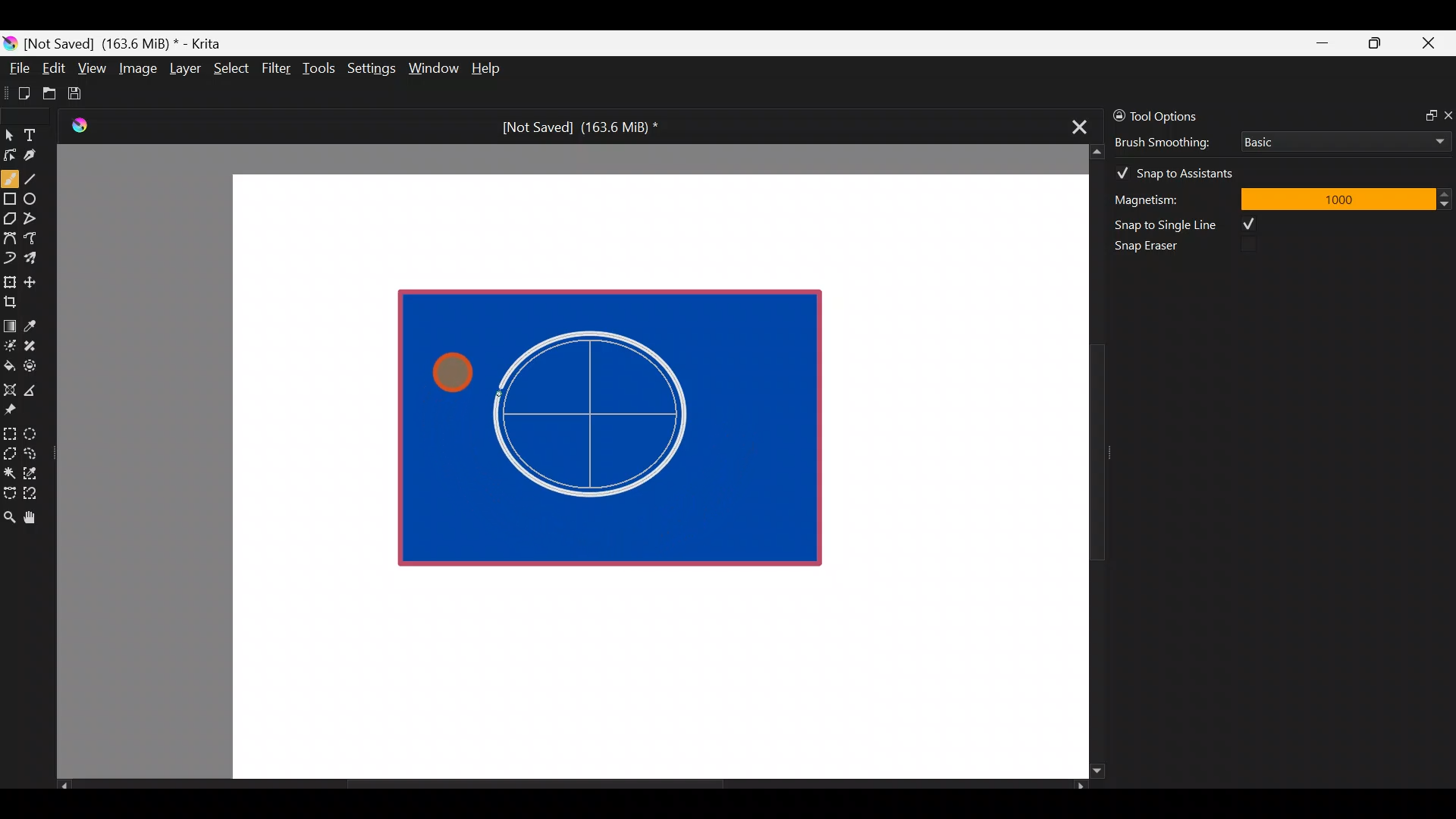 The image size is (1456, 819). What do you see at coordinates (37, 197) in the screenshot?
I see `Ellipse tool` at bounding box center [37, 197].